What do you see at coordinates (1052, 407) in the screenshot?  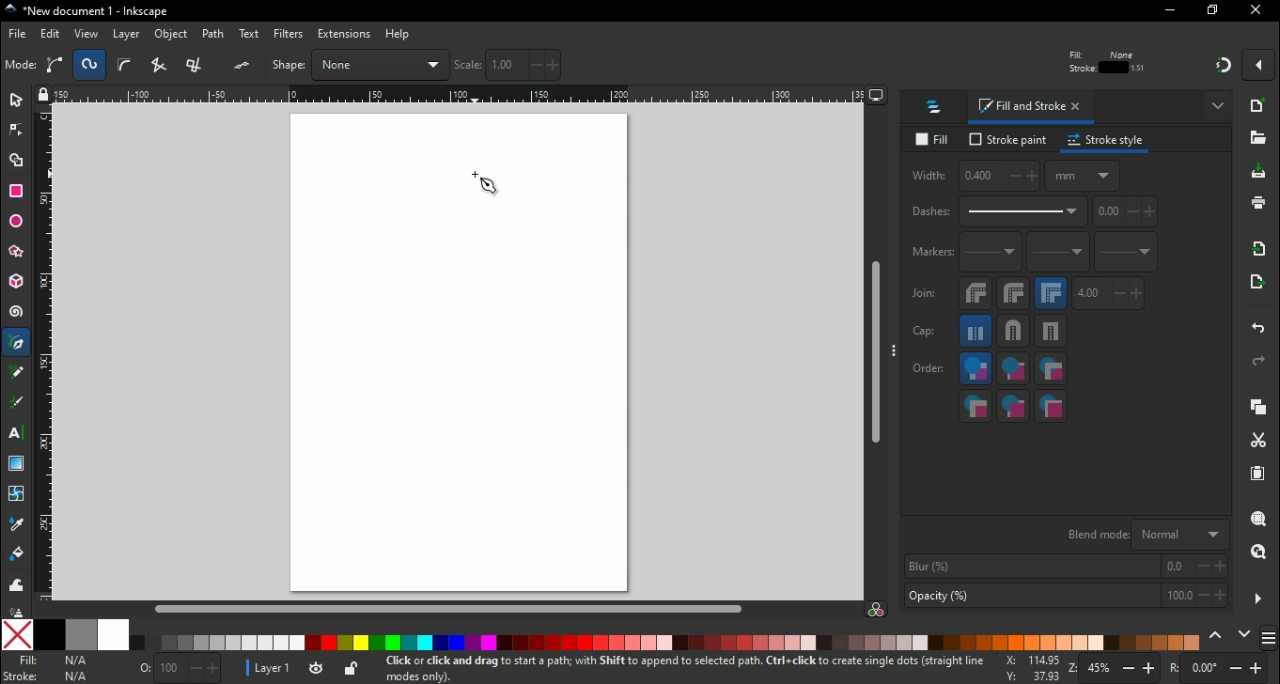 I see `markers, stoke, fills` at bounding box center [1052, 407].